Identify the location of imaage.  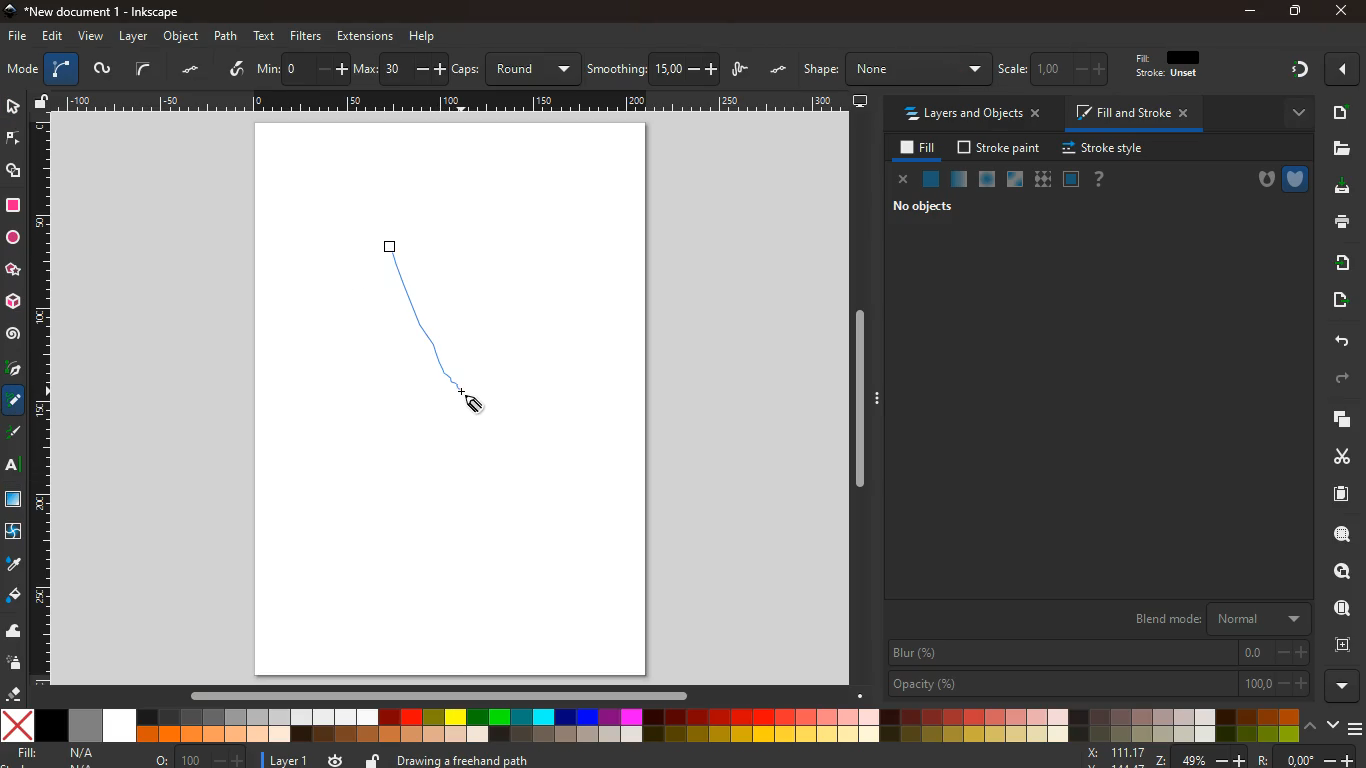
(15, 501).